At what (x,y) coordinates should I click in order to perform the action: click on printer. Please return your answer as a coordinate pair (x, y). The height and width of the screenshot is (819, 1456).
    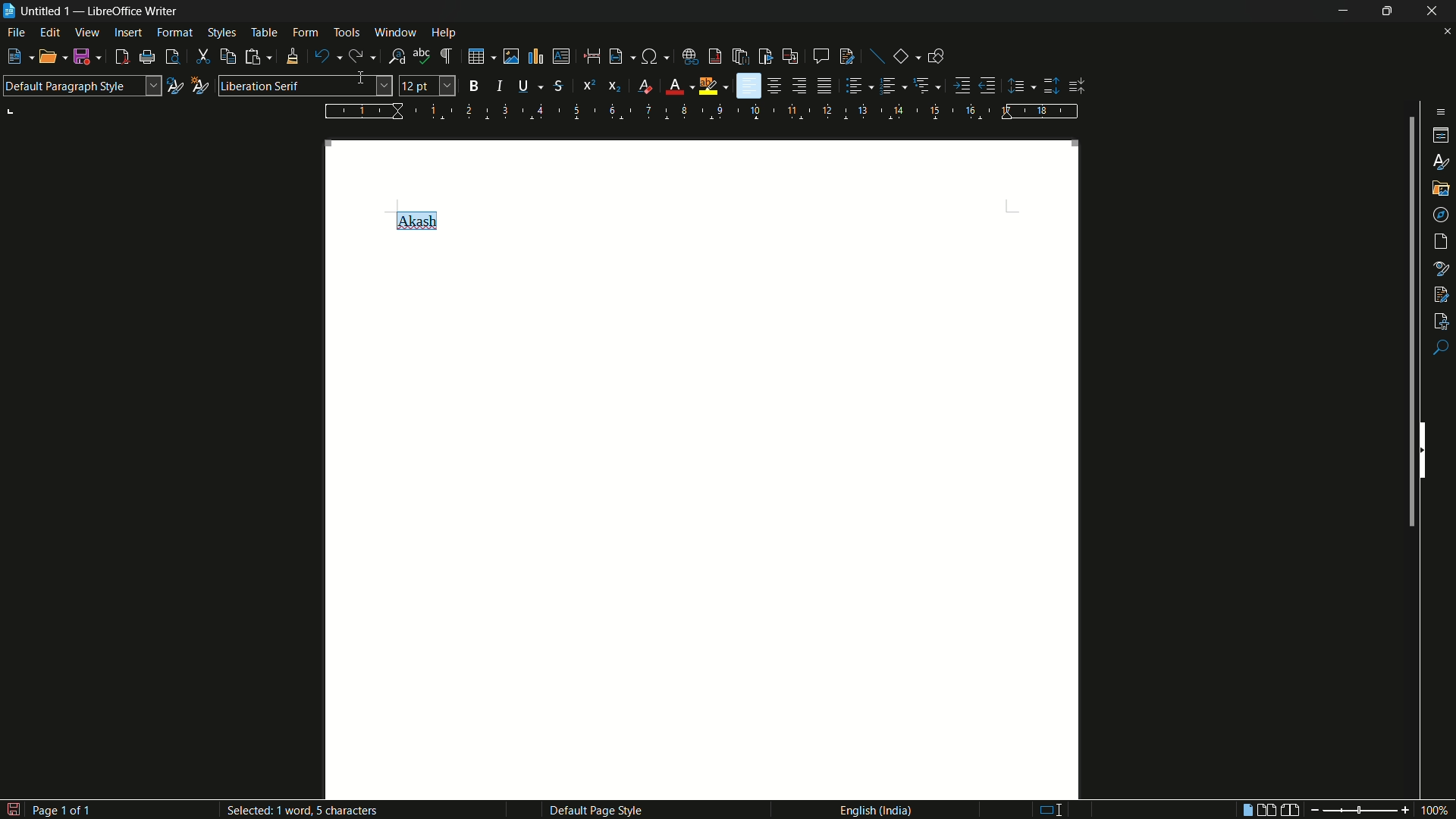
    Looking at the image, I should click on (148, 58).